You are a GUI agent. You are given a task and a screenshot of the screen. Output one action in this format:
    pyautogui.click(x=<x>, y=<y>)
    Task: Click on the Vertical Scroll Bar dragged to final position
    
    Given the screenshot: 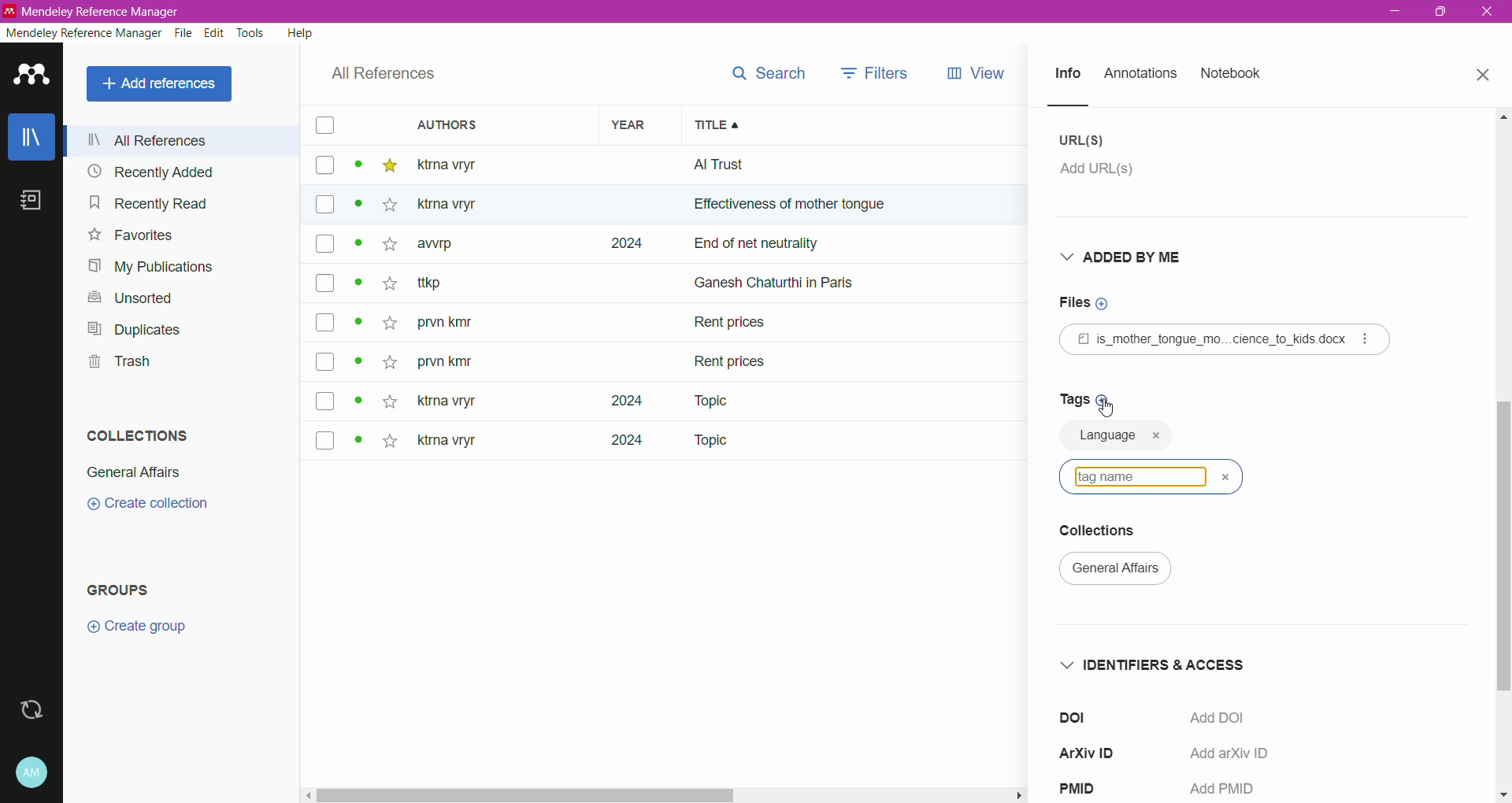 What is the action you would take?
    pyautogui.click(x=1503, y=455)
    